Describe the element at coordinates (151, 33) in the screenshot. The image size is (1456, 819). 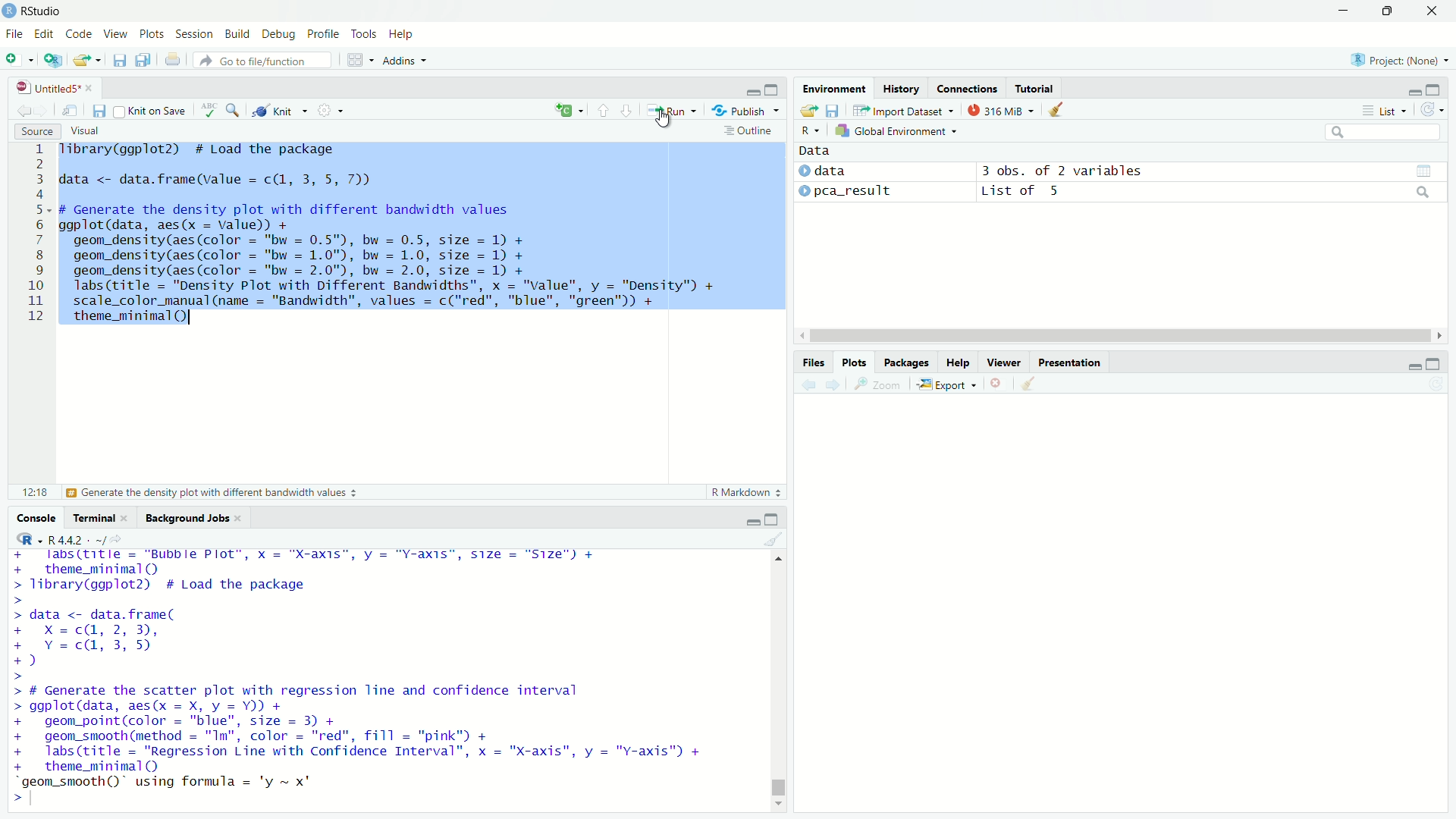
I see `Plots` at that location.